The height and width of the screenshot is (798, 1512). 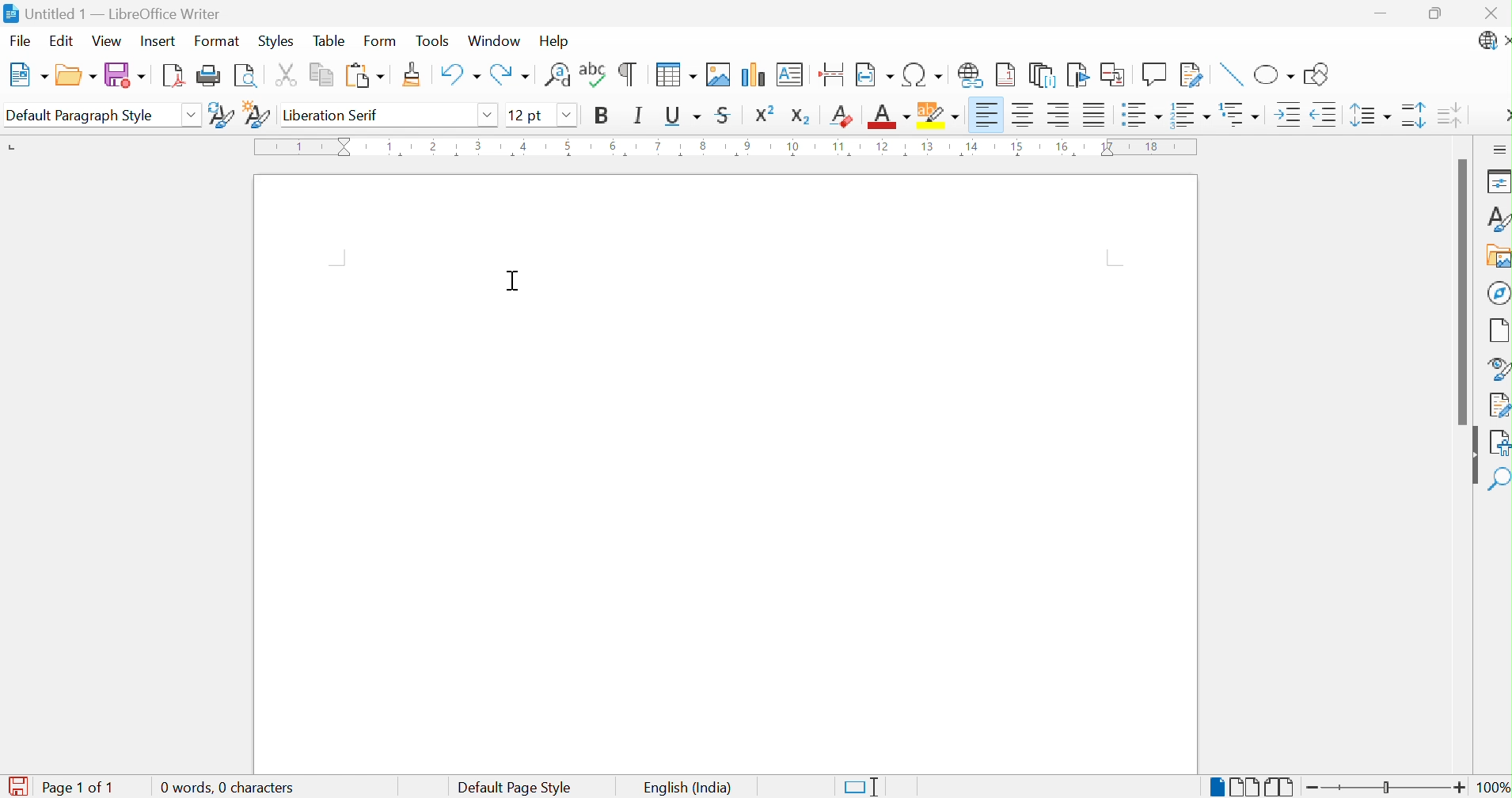 I want to click on Insert Field, so click(x=873, y=74).